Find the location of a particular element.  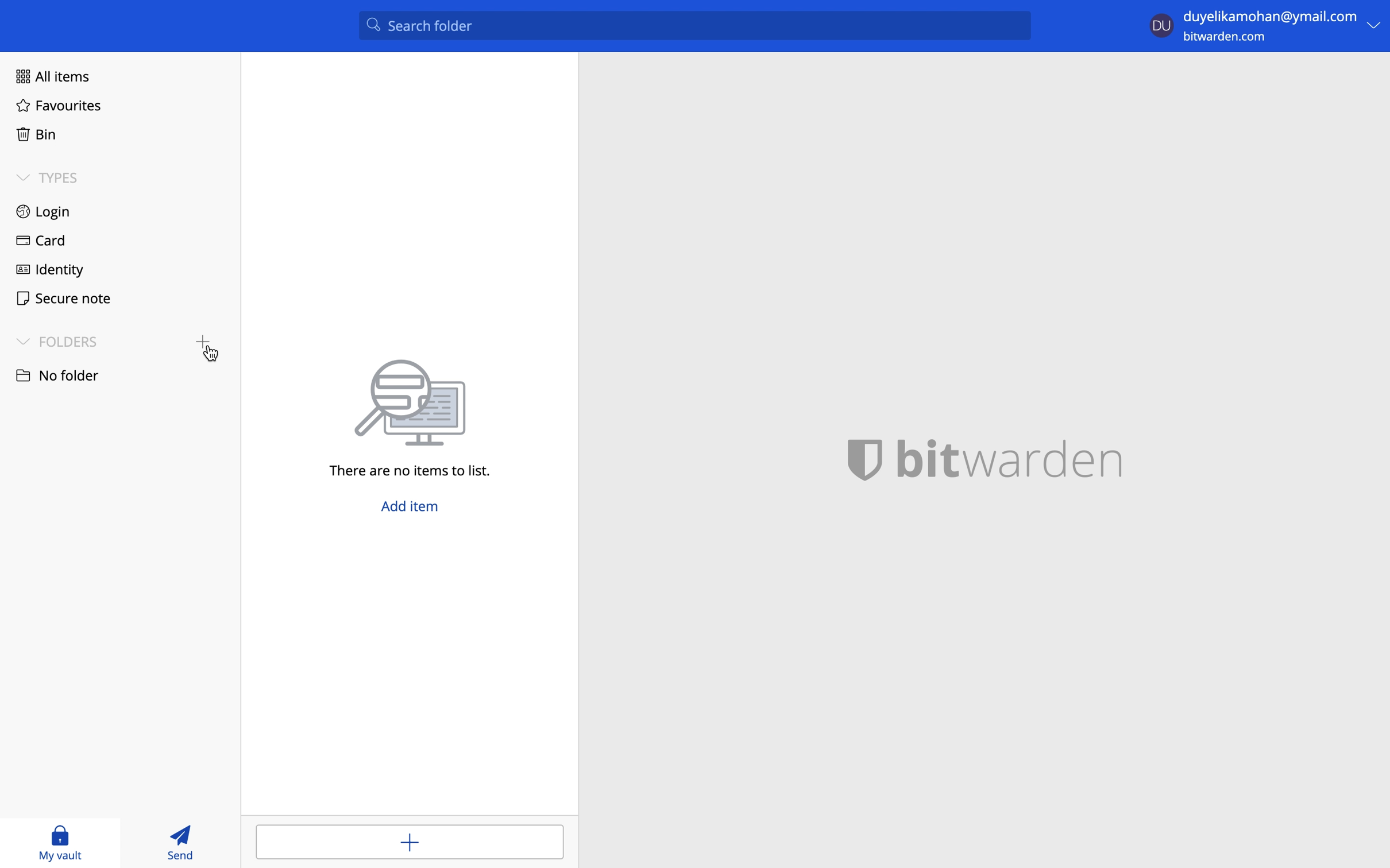

send is located at coordinates (183, 842).